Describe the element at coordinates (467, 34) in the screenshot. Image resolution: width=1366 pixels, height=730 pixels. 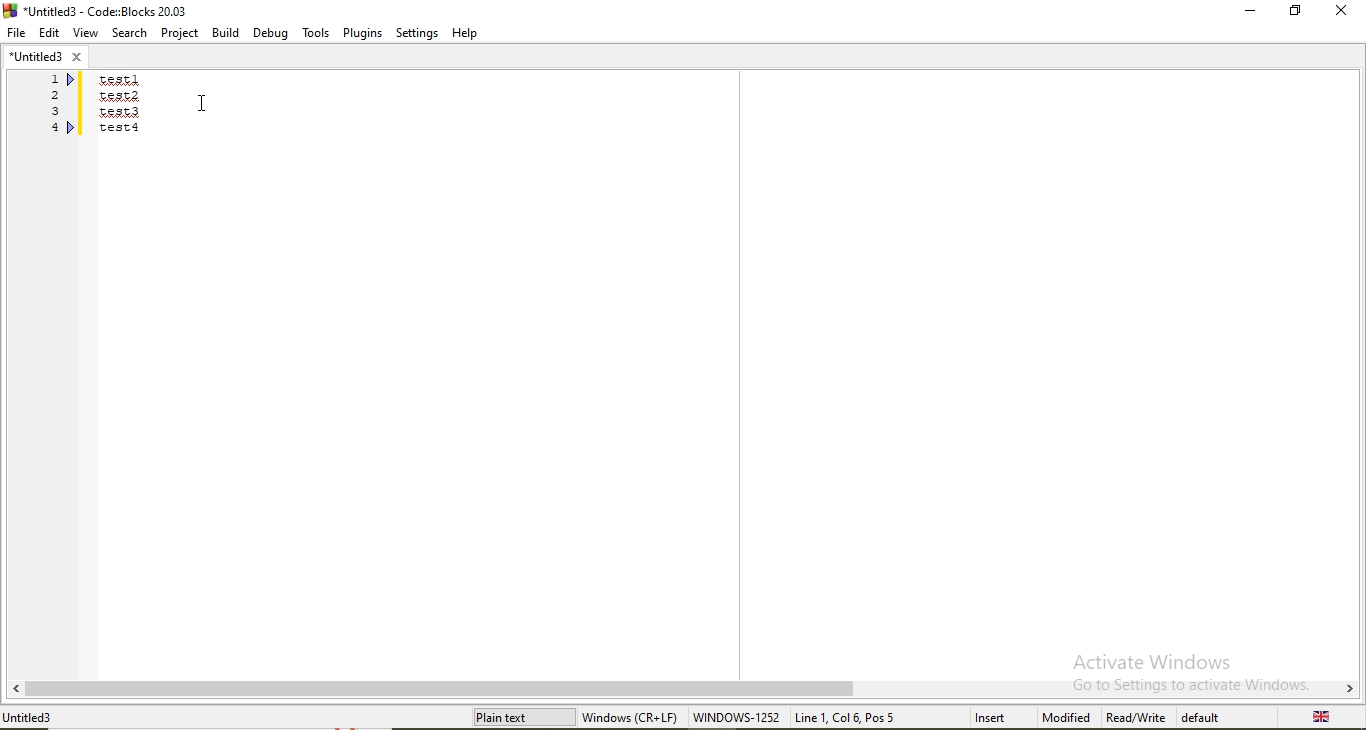
I see `Help` at that location.